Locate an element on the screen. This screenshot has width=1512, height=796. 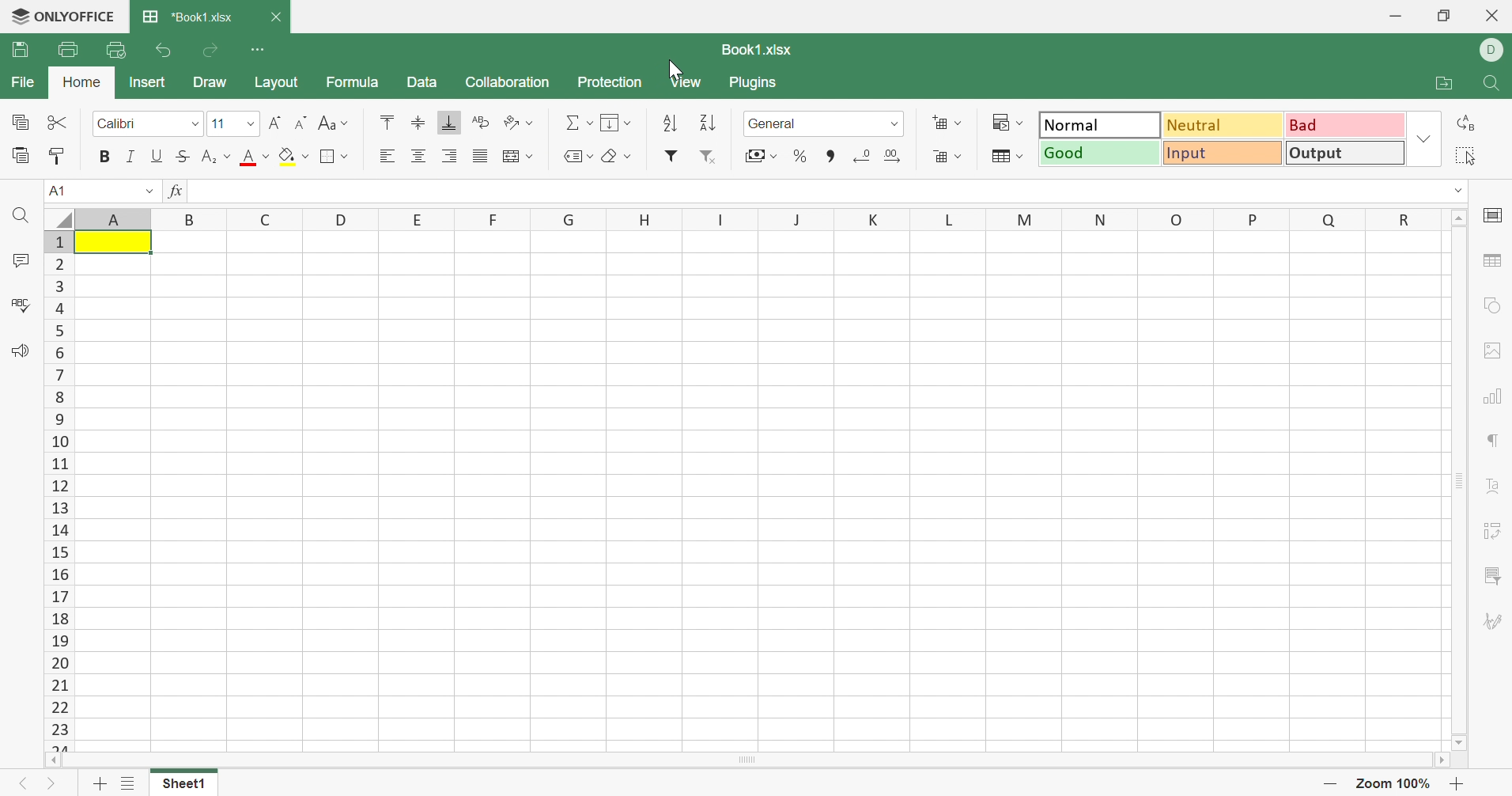
Ascending order is located at coordinates (670, 119).